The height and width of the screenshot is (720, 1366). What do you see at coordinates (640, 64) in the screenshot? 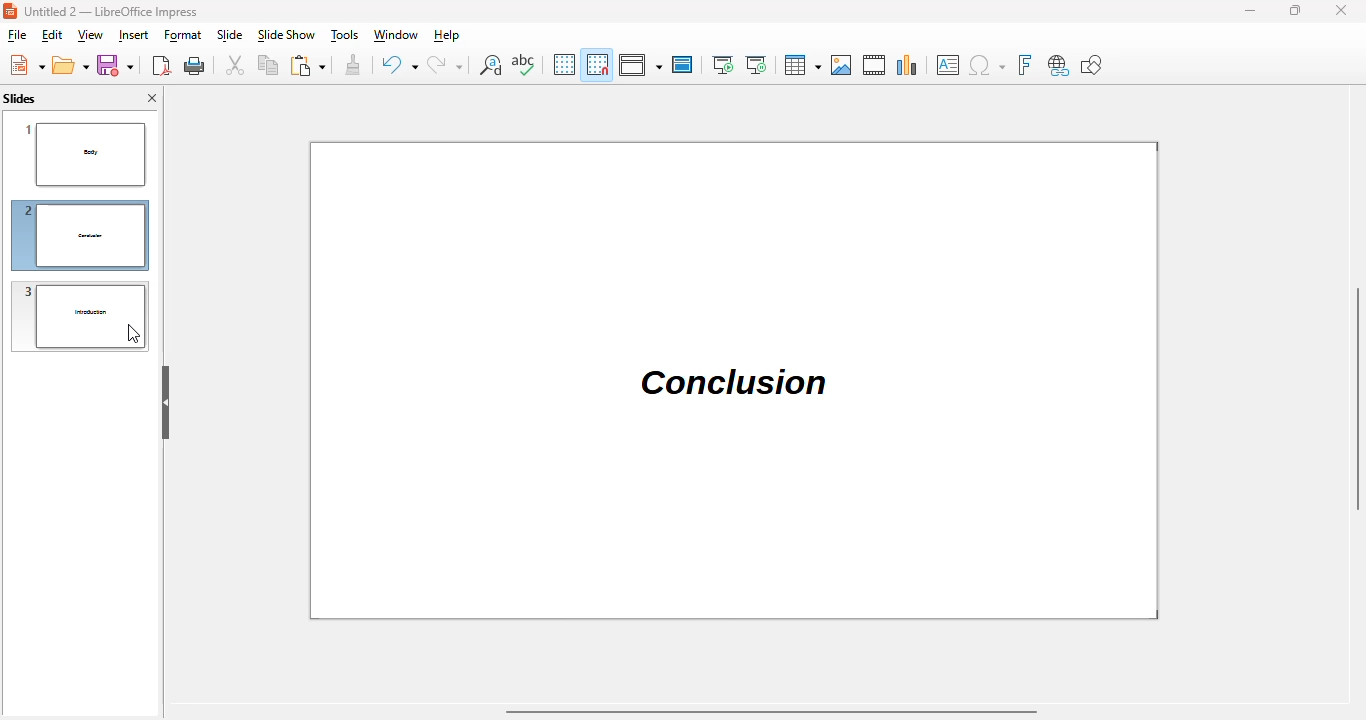
I see `display views` at bounding box center [640, 64].